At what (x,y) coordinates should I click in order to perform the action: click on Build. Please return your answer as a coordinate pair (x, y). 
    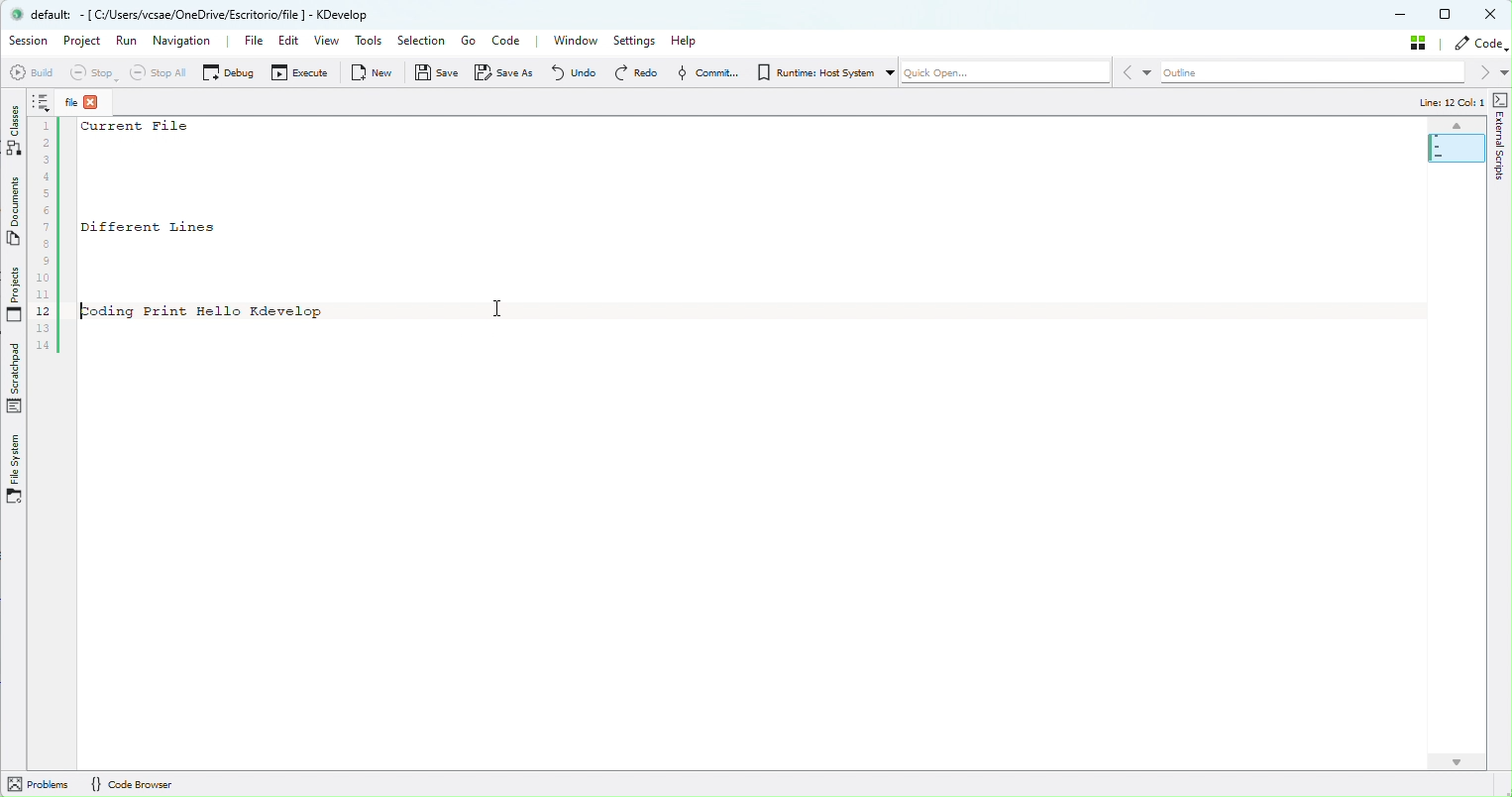
    Looking at the image, I should click on (33, 73).